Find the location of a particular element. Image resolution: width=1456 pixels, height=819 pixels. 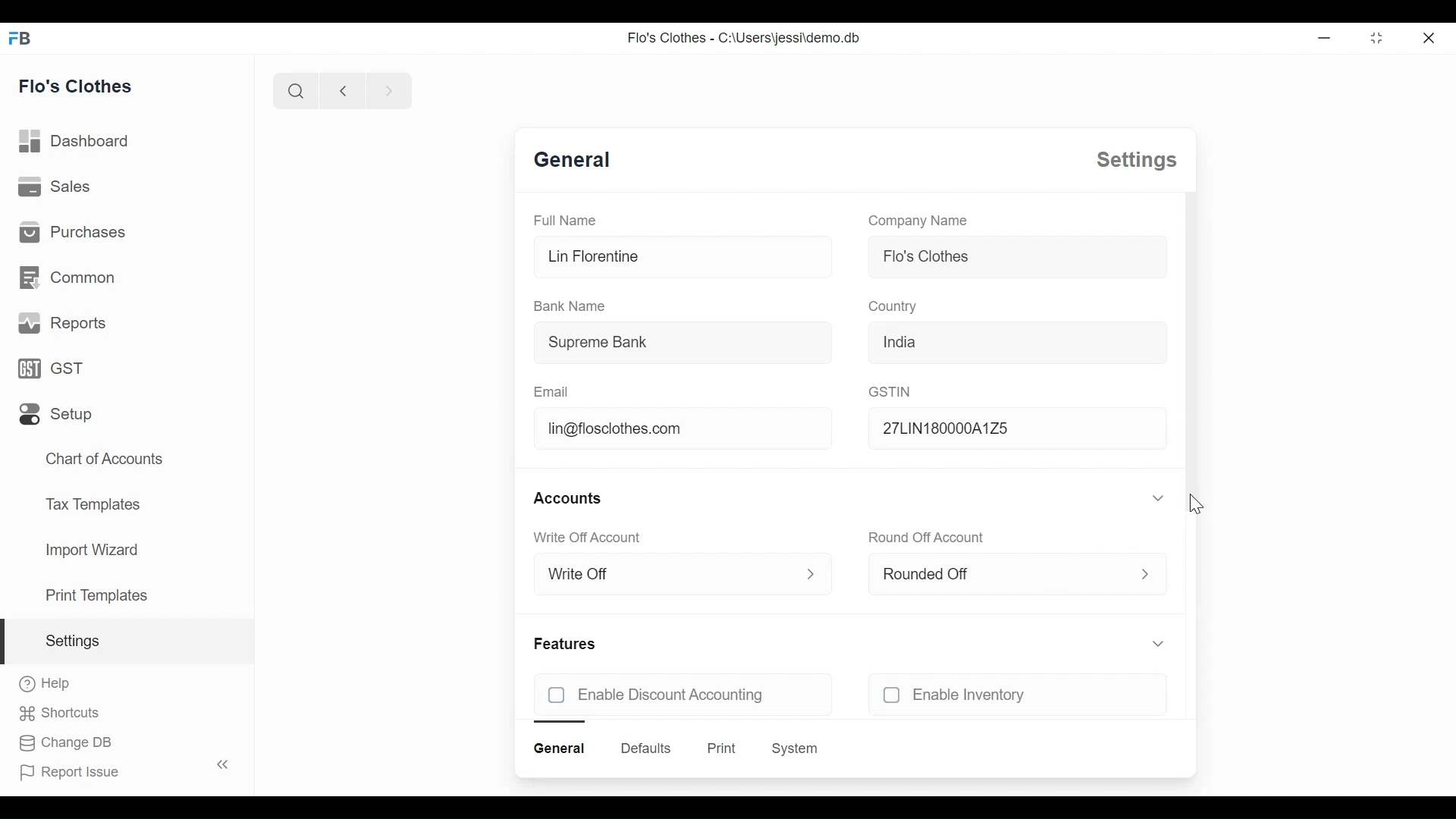

Common is located at coordinates (70, 280).